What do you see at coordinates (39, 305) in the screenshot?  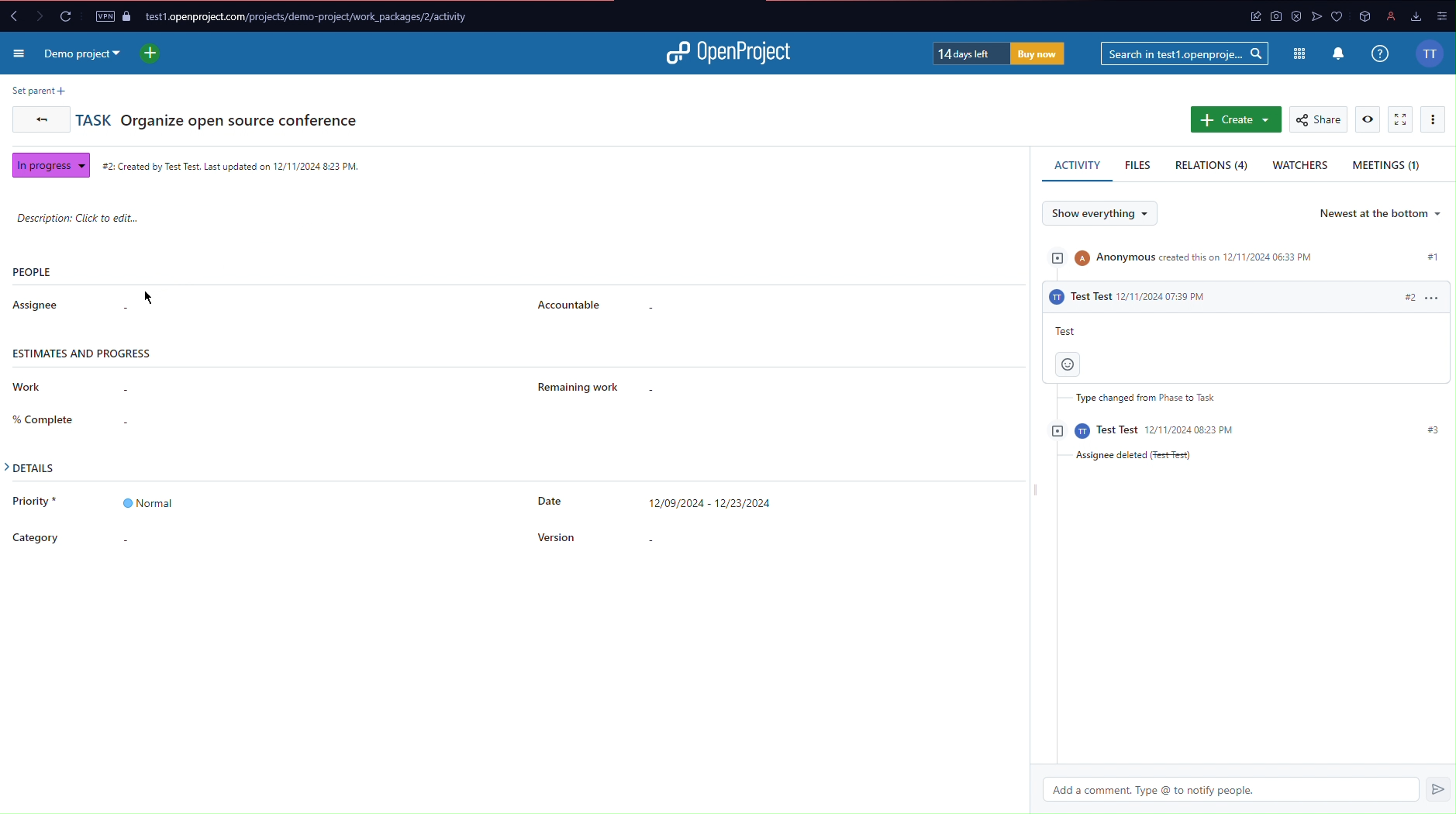 I see `Assignee` at bounding box center [39, 305].